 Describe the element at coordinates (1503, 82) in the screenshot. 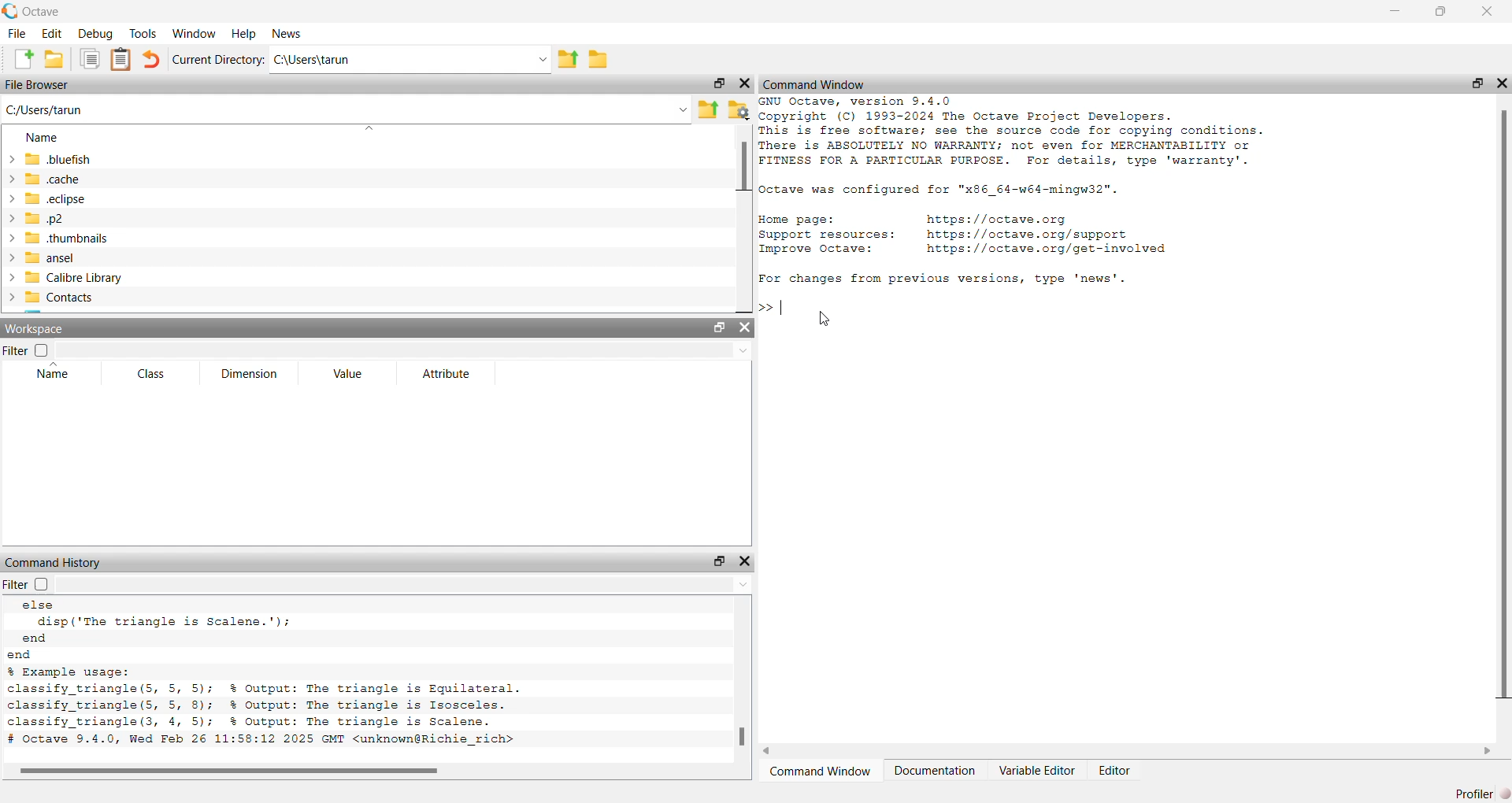

I see `hide widget` at that location.